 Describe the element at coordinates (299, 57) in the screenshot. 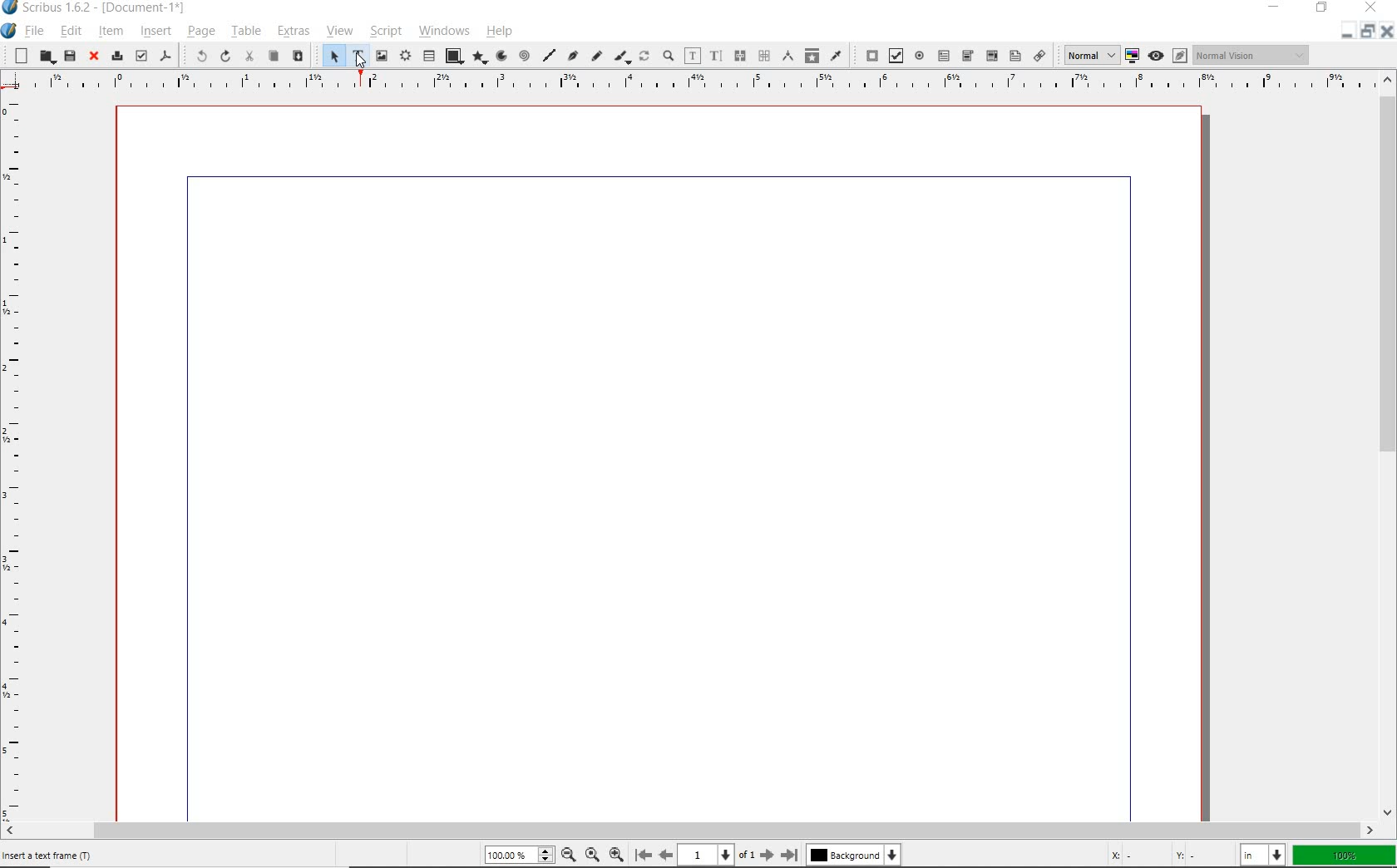

I see `paste` at that location.